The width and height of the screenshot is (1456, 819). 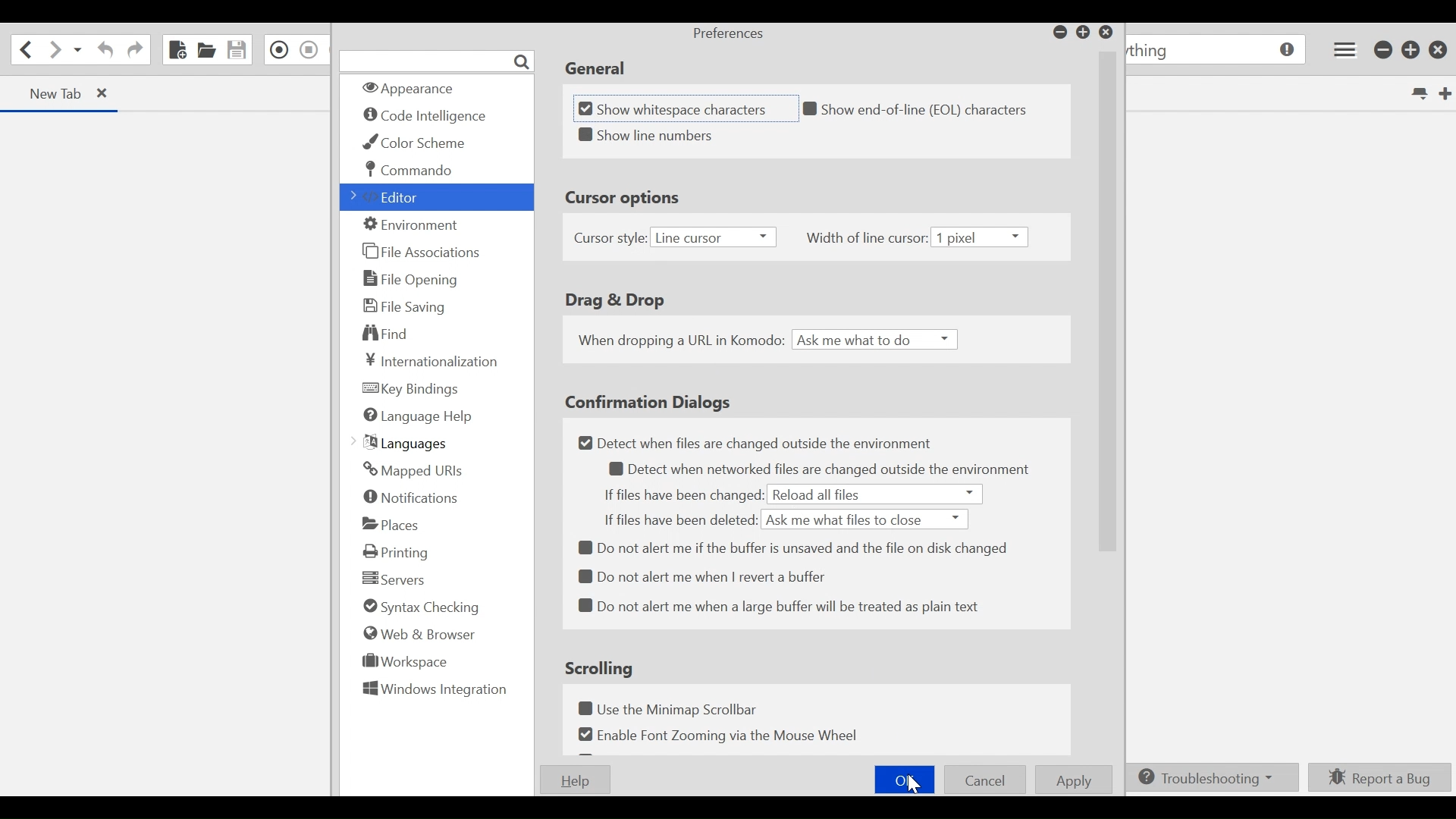 What do you see at coordinates (821, 495) in the screenshot?
I see `Reload all files` at bounding box center [821, 495].